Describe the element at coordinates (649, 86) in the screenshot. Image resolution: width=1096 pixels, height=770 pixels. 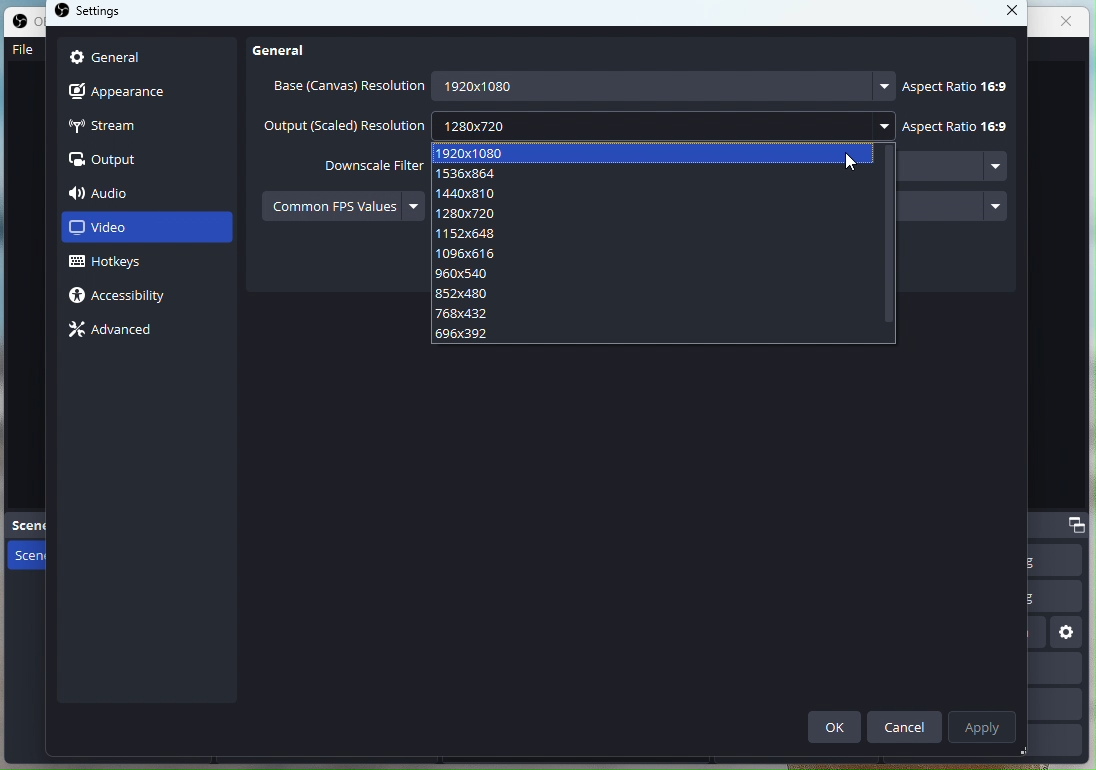
I see `1920x1080` at that location.